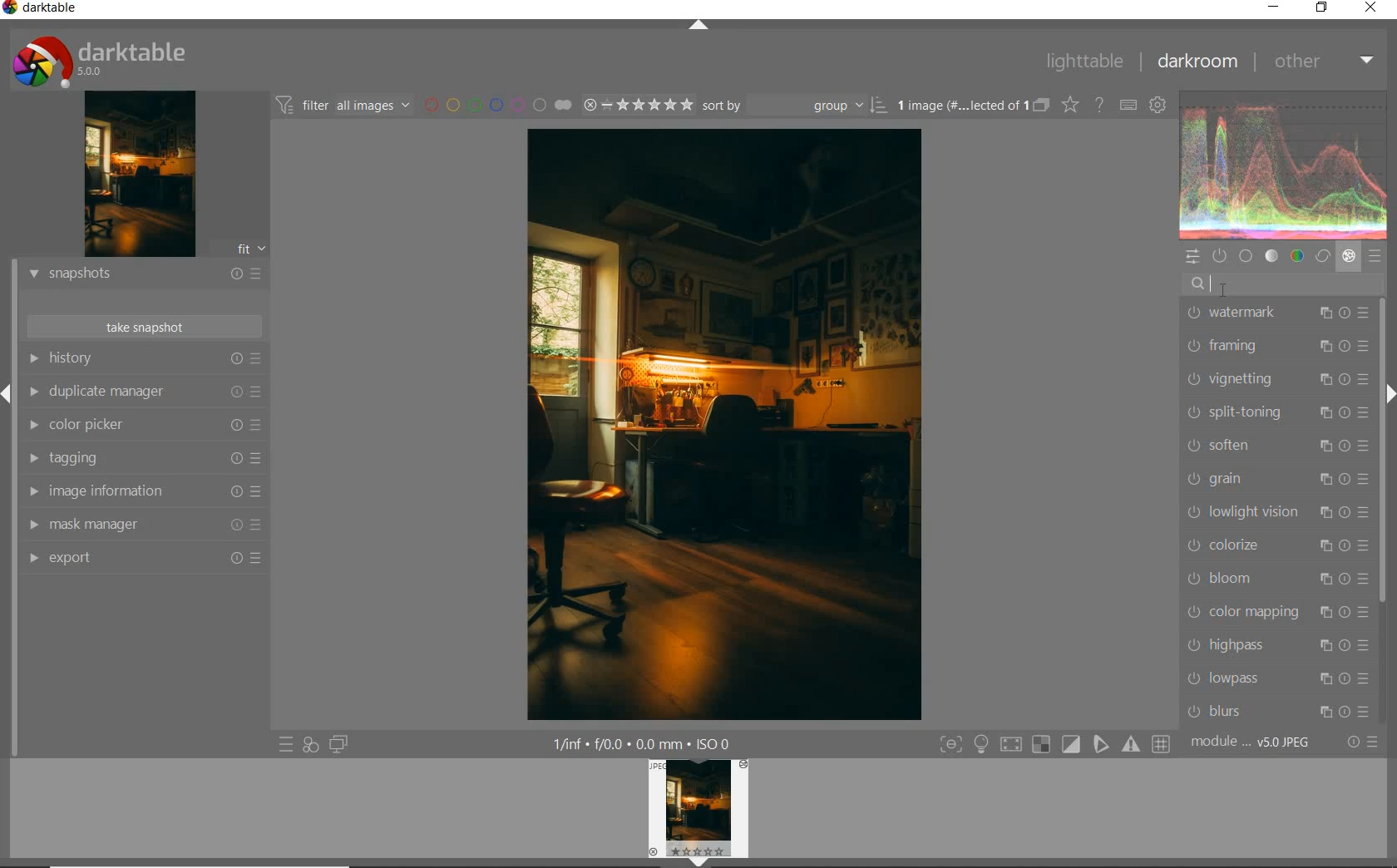  What do you see at coordinates (640, 744) in the screenshot?
I see `other display information` at bounding box center [640, 744].